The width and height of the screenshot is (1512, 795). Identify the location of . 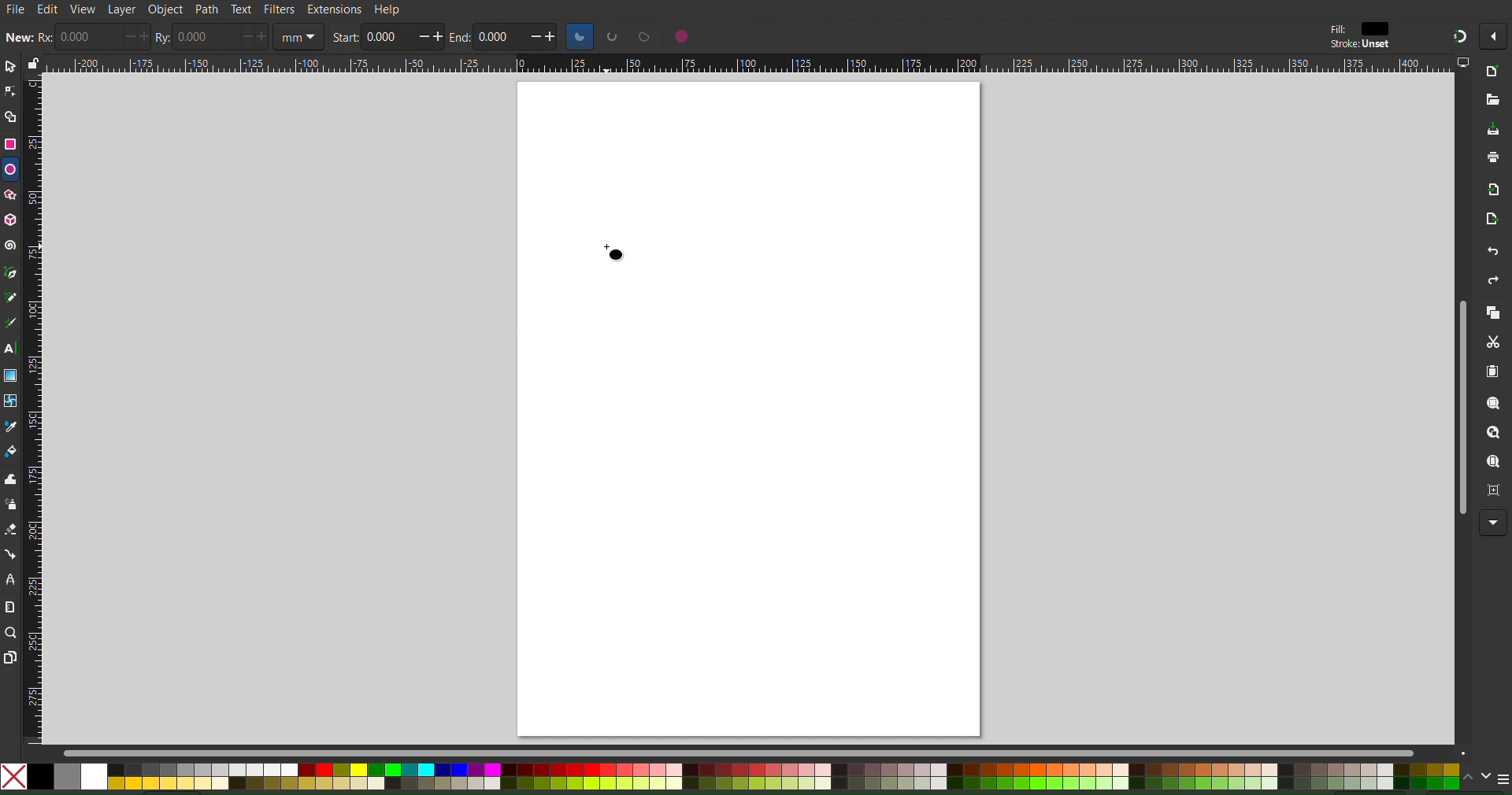
(729, 779).